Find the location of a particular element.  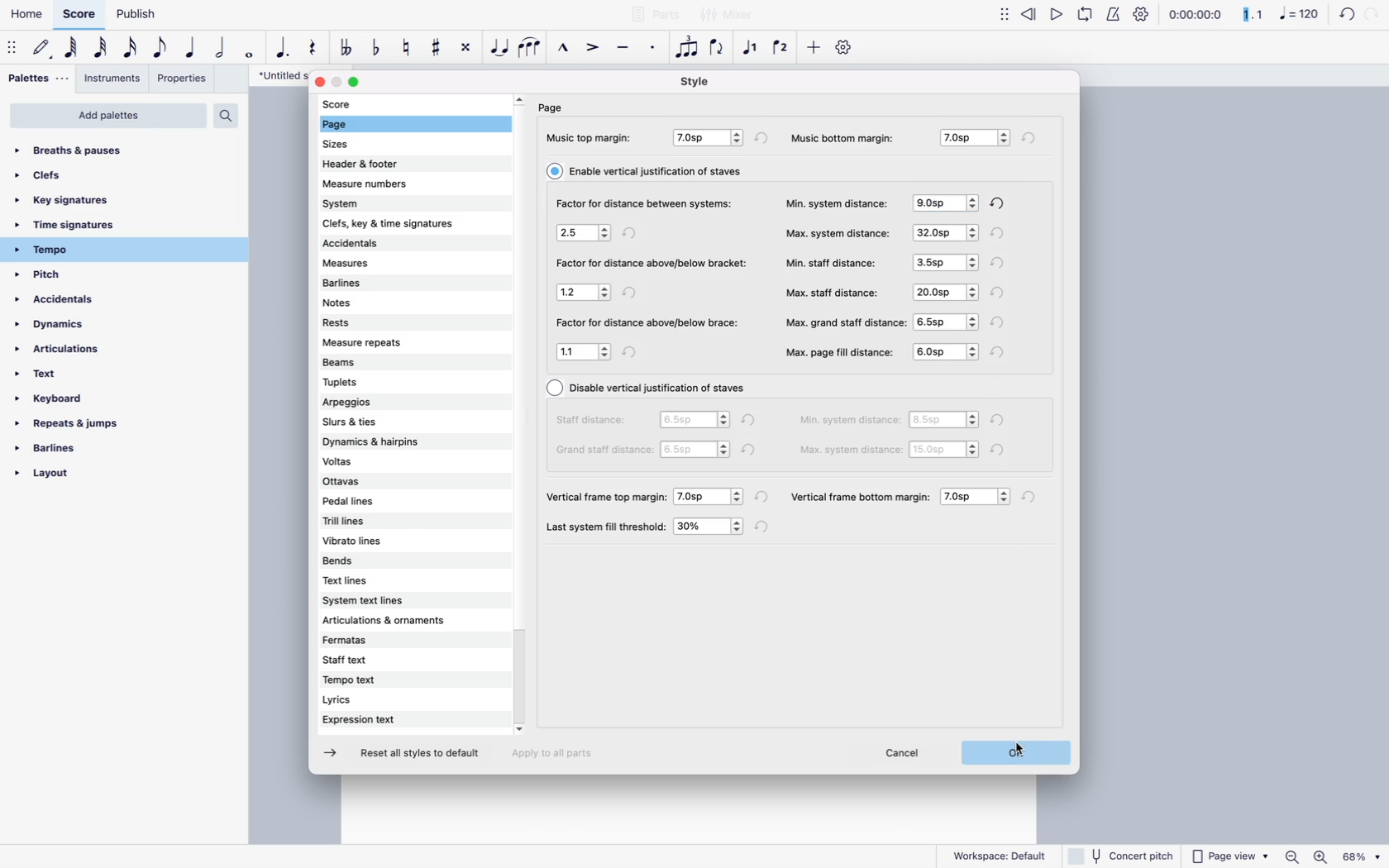

text lines is located at coordinates (370, 582).